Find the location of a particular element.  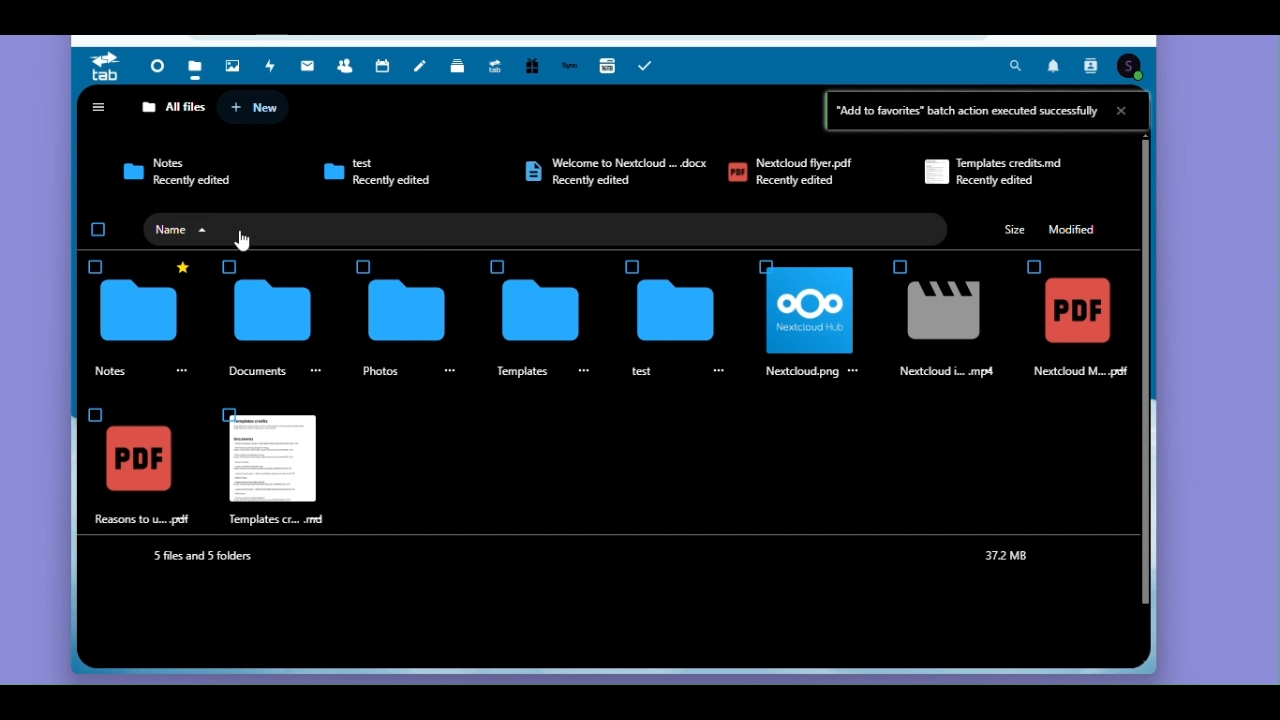

Check Box is located at coordinates (233, 268).